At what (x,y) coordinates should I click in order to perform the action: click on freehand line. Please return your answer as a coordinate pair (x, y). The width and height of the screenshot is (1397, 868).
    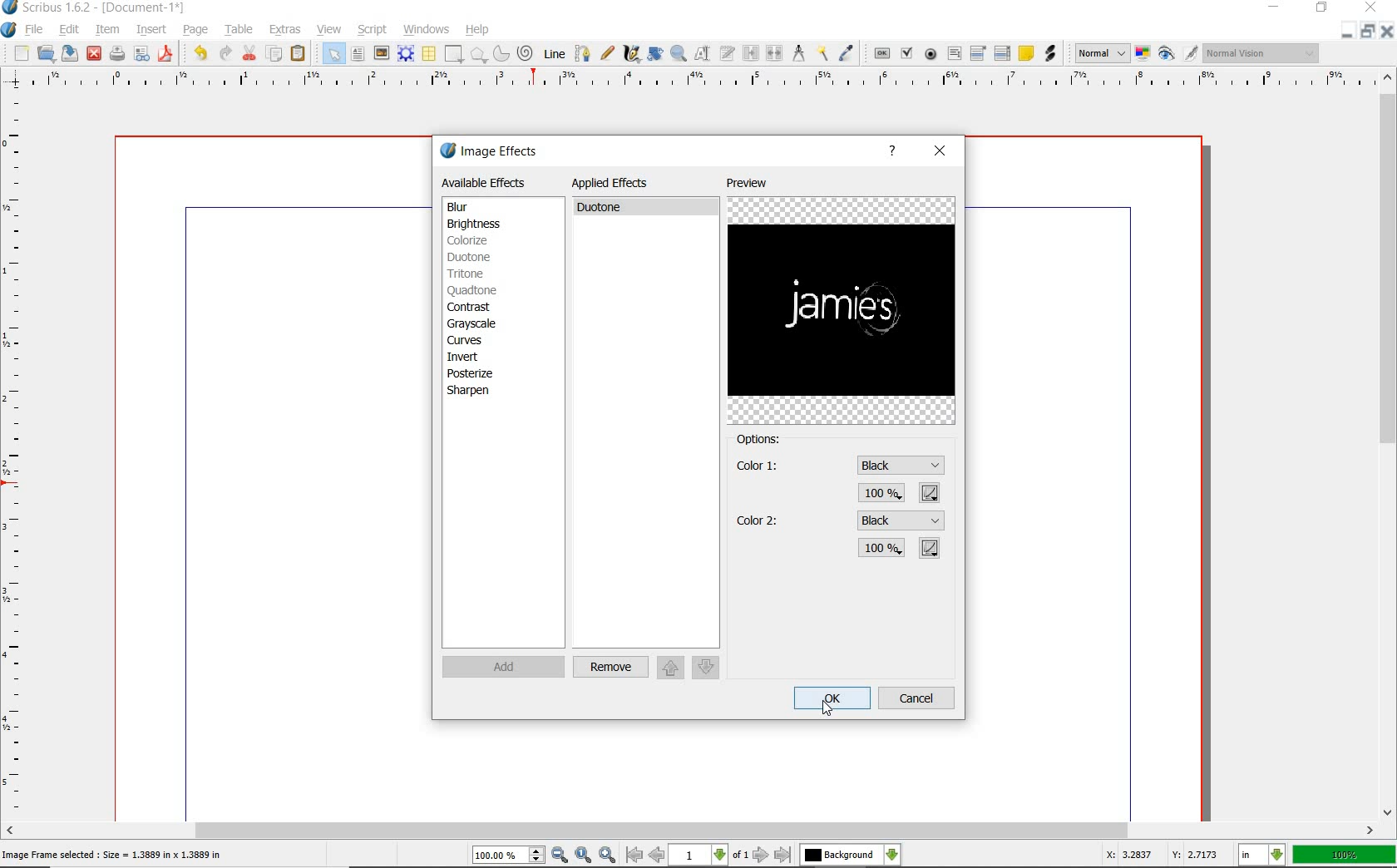
    Looking at the image, I should click on (606, 55).